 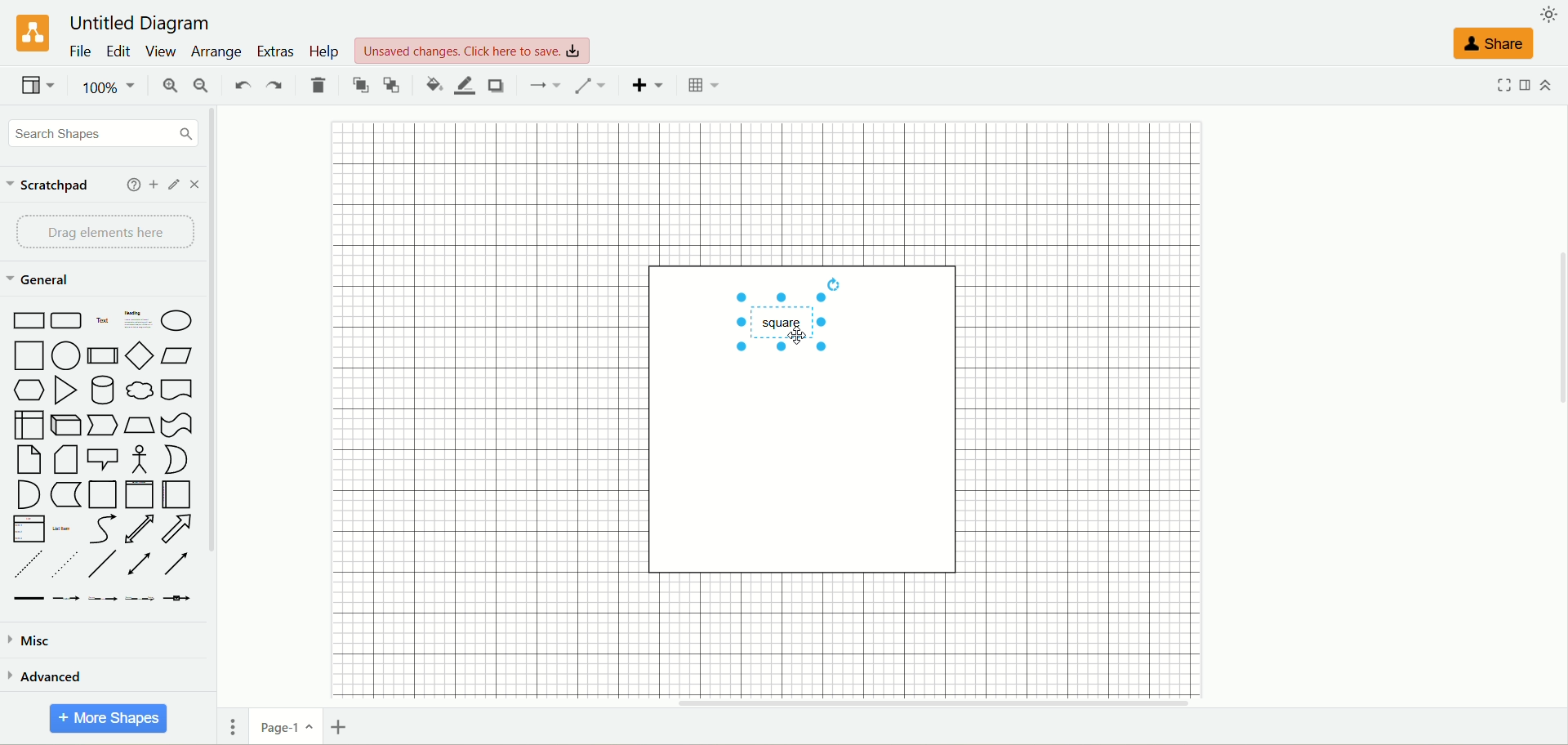 I want to click on appearance, so click(x=1548, y=15).